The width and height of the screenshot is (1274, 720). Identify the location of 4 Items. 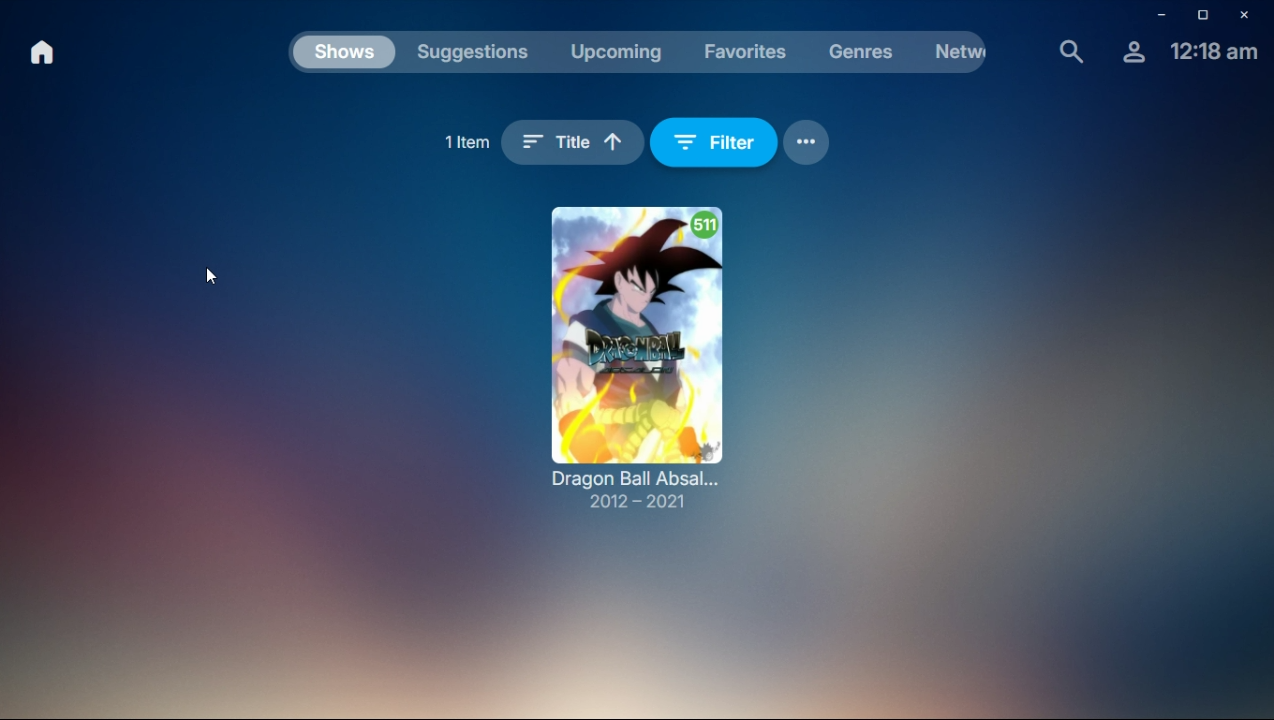
(465, 138).